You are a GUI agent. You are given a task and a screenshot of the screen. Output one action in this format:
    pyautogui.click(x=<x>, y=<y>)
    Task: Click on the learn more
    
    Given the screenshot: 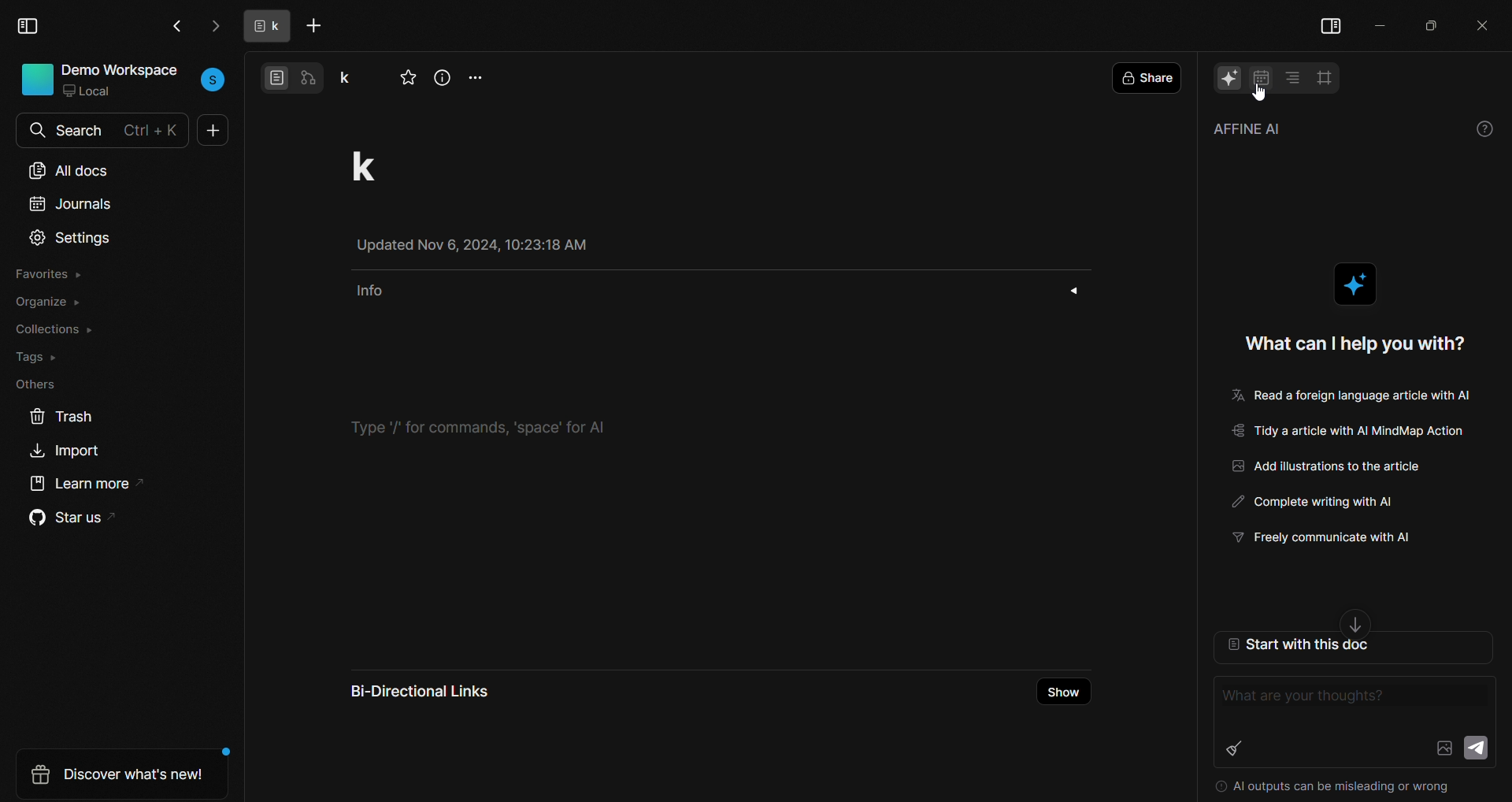 What is the action you would take?
    pyautogui.click(x=82, y=488)
    